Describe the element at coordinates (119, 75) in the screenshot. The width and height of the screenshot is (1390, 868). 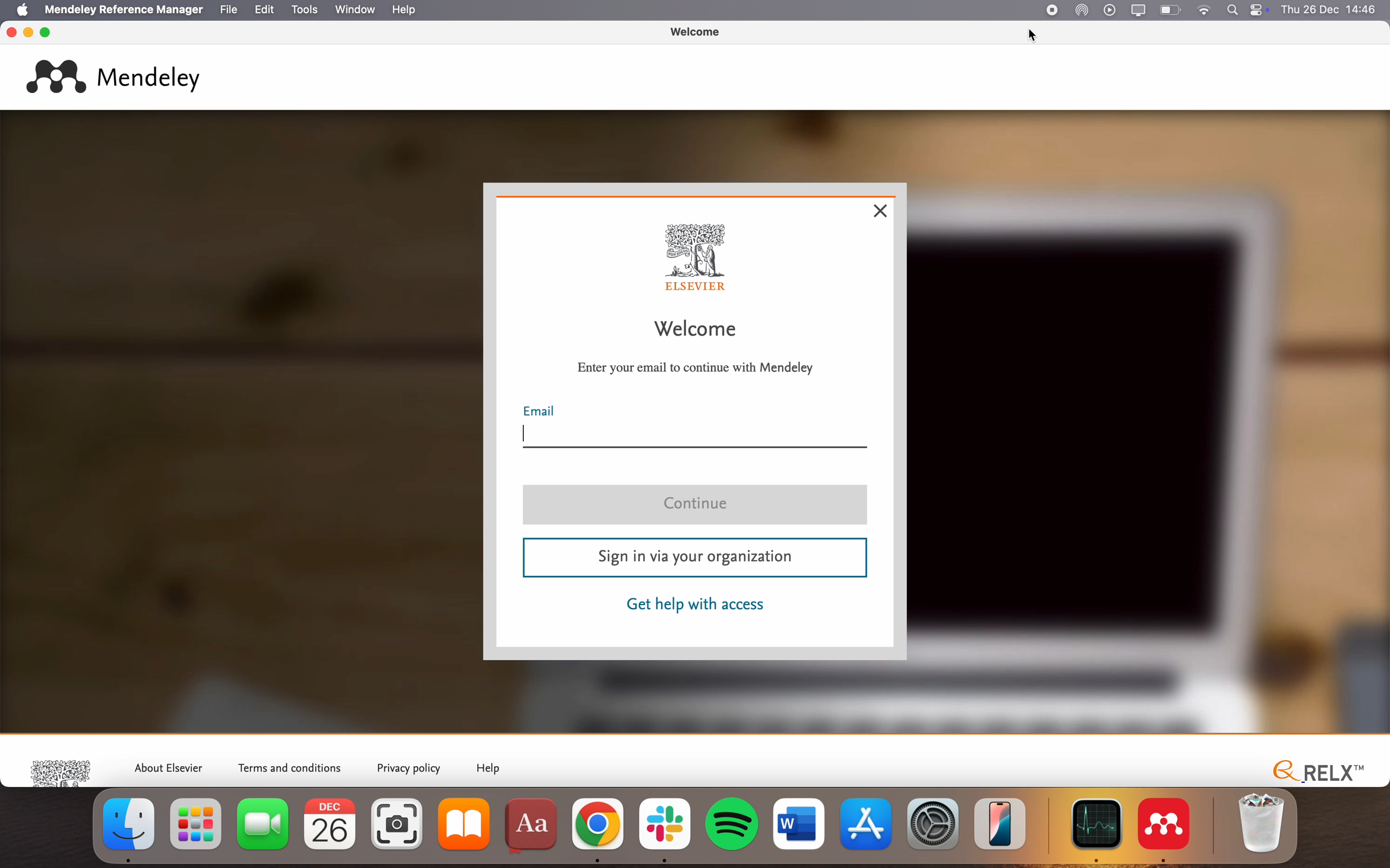
I see `Mendeley` at that location.